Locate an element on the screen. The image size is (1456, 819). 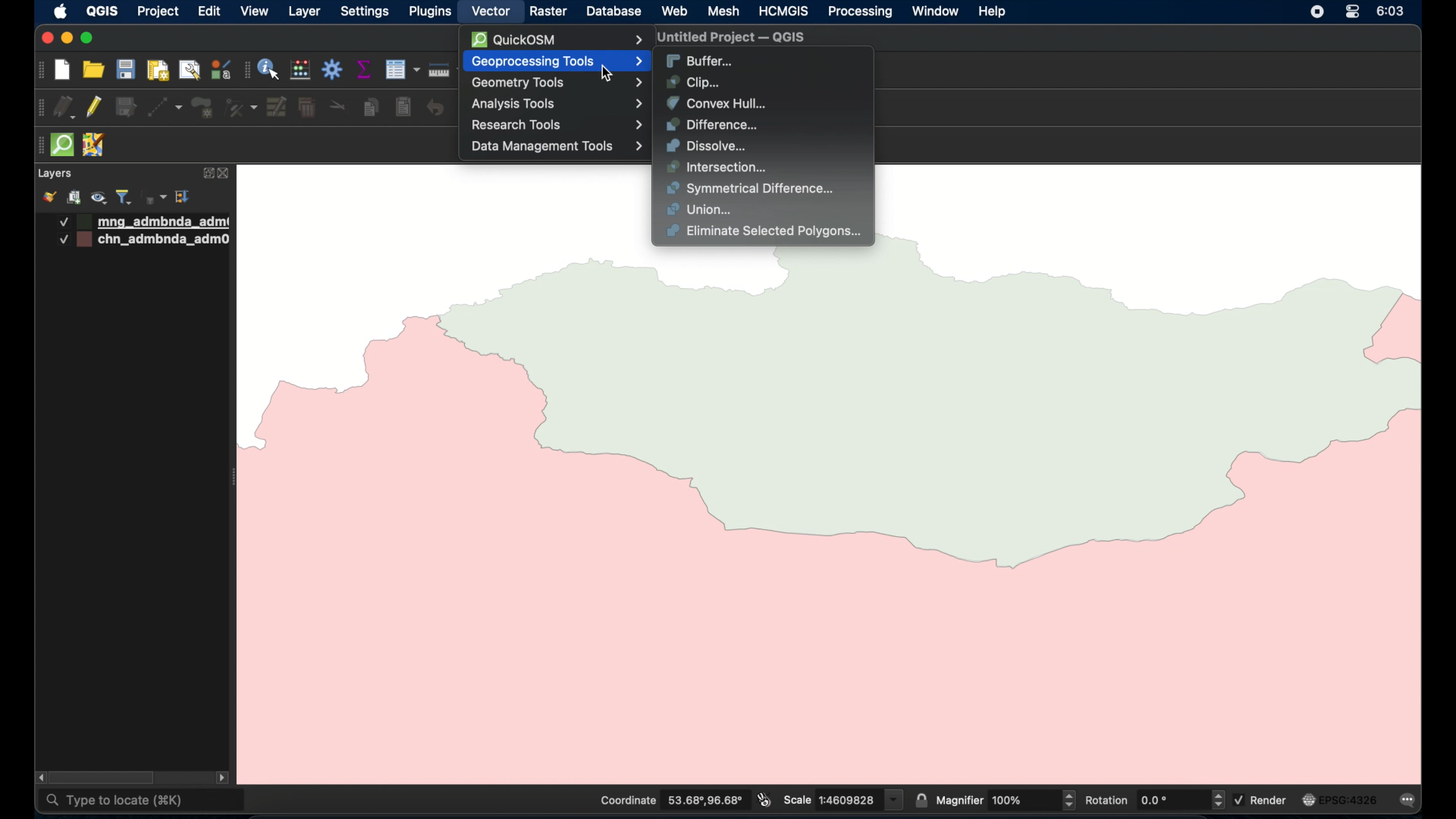
layer 1 is located at coordinates (145, 222).